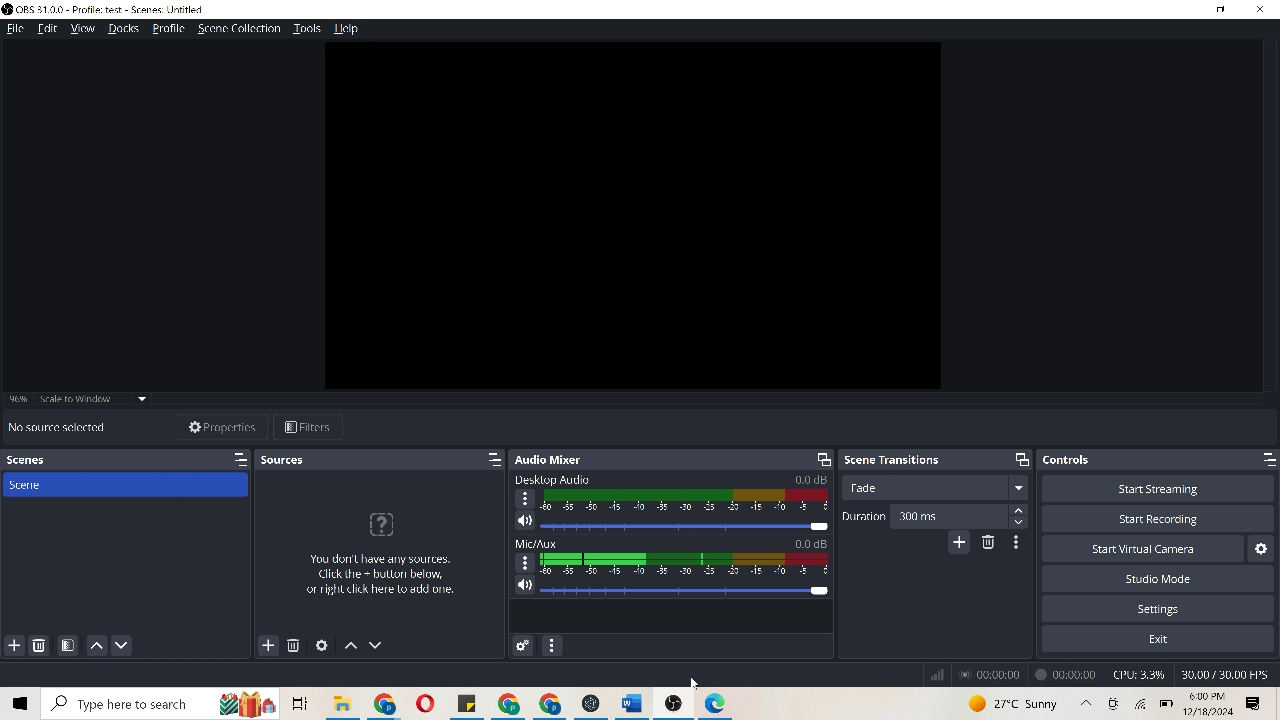 Image resolution: width=1280 pixels, height=720 pixels. I want to click on audio decibel scale, so click(687, 564).